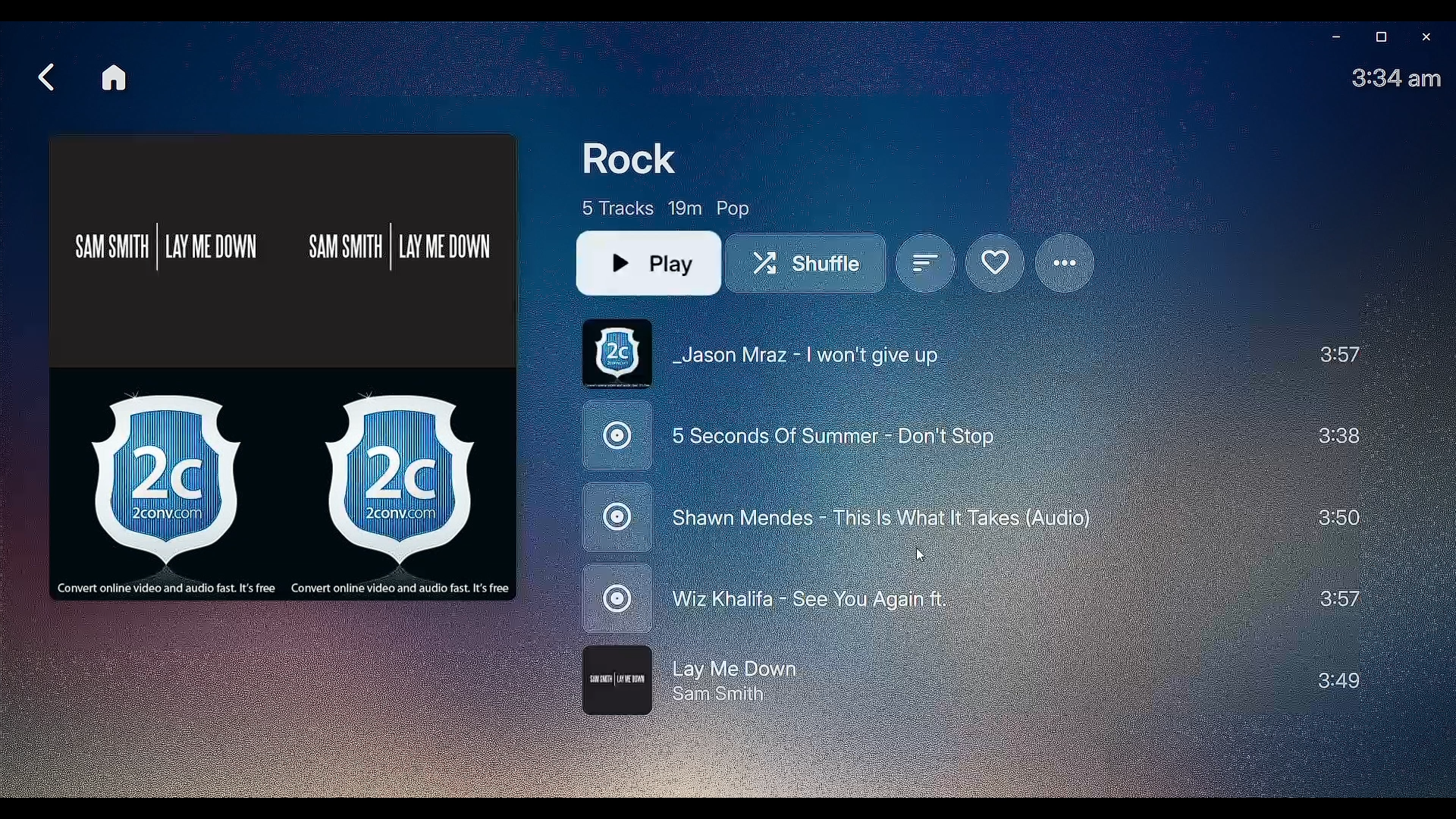 The width and height of the screenshot is (1456, 819). What do you see at coordinates (45, 77) in the screenshot?
I see `Back` at bounding box center [45, 77].